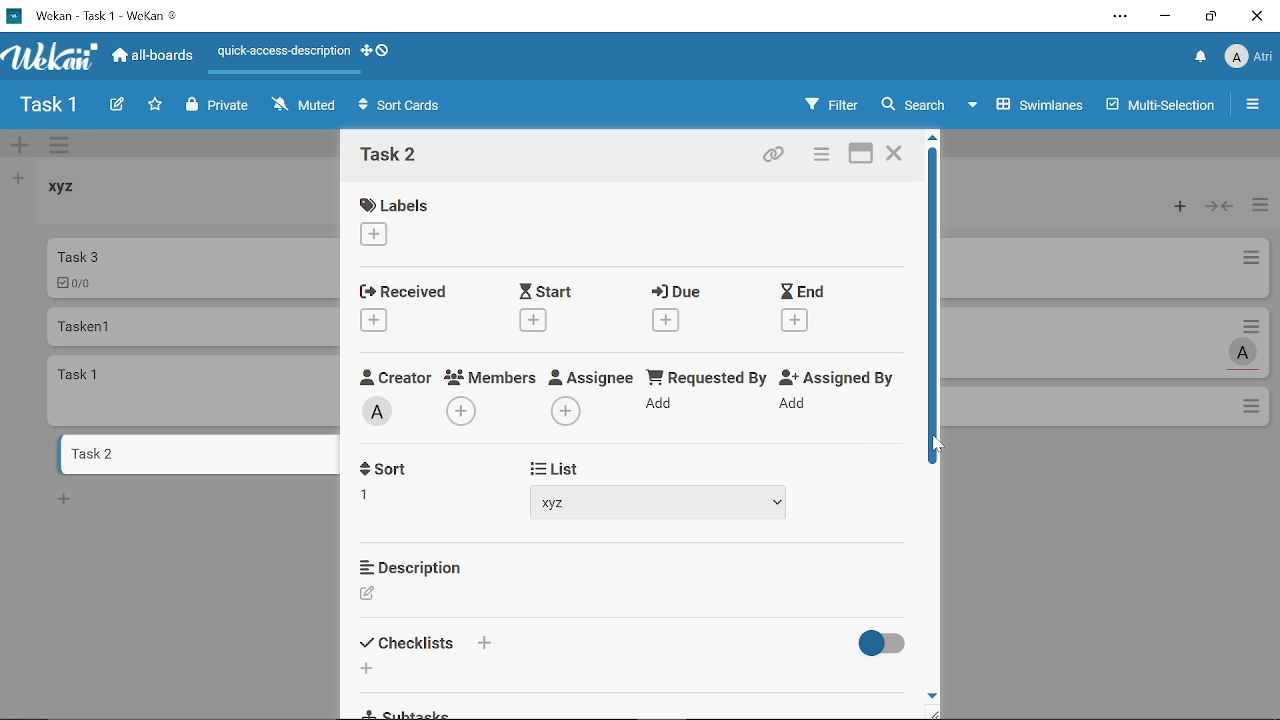 The width and height of the screenshot is (1280, 720). I want to click on Private, so click(218, 106).